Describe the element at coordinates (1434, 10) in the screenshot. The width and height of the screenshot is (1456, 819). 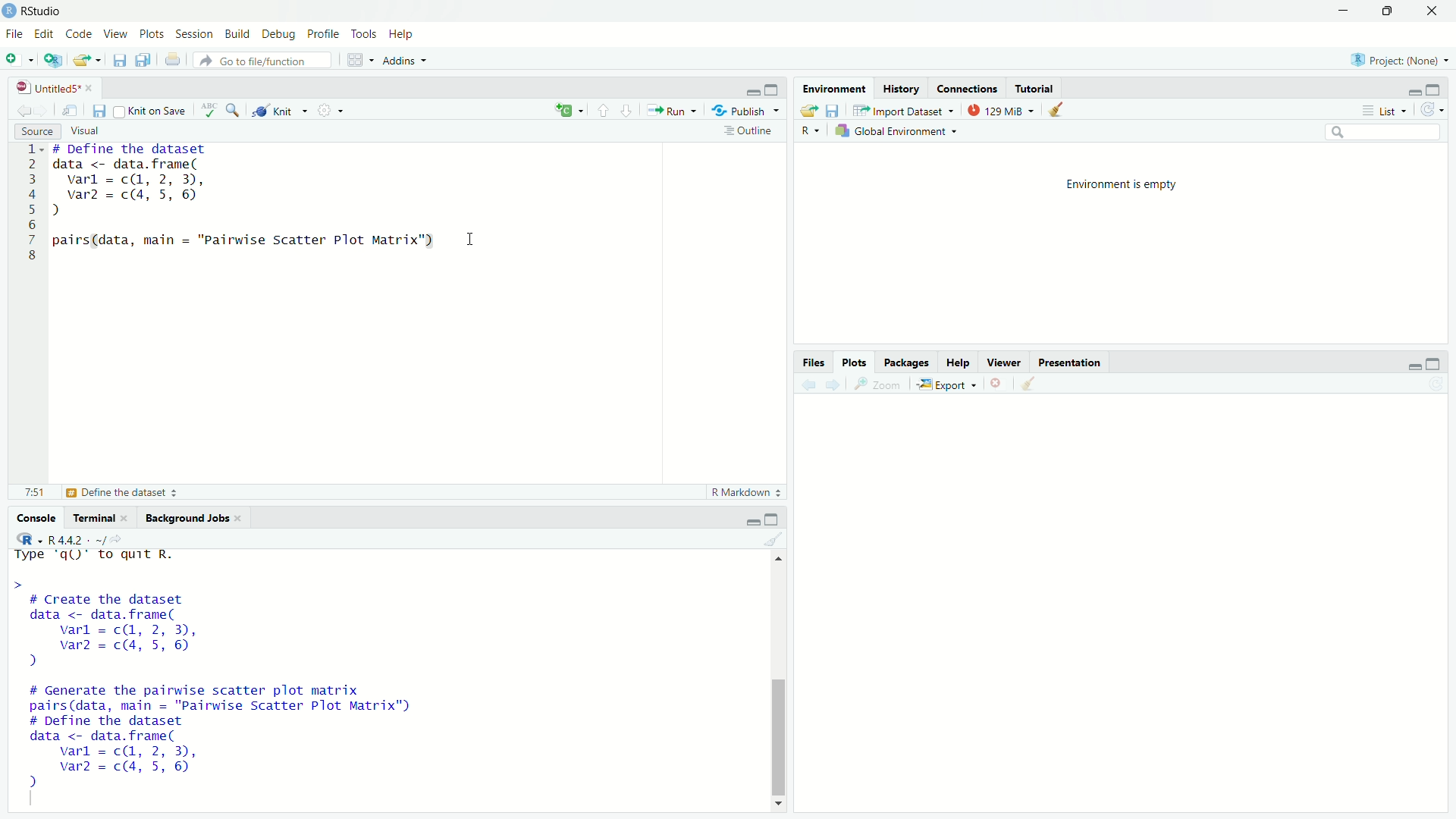
I see `Close` at that location.